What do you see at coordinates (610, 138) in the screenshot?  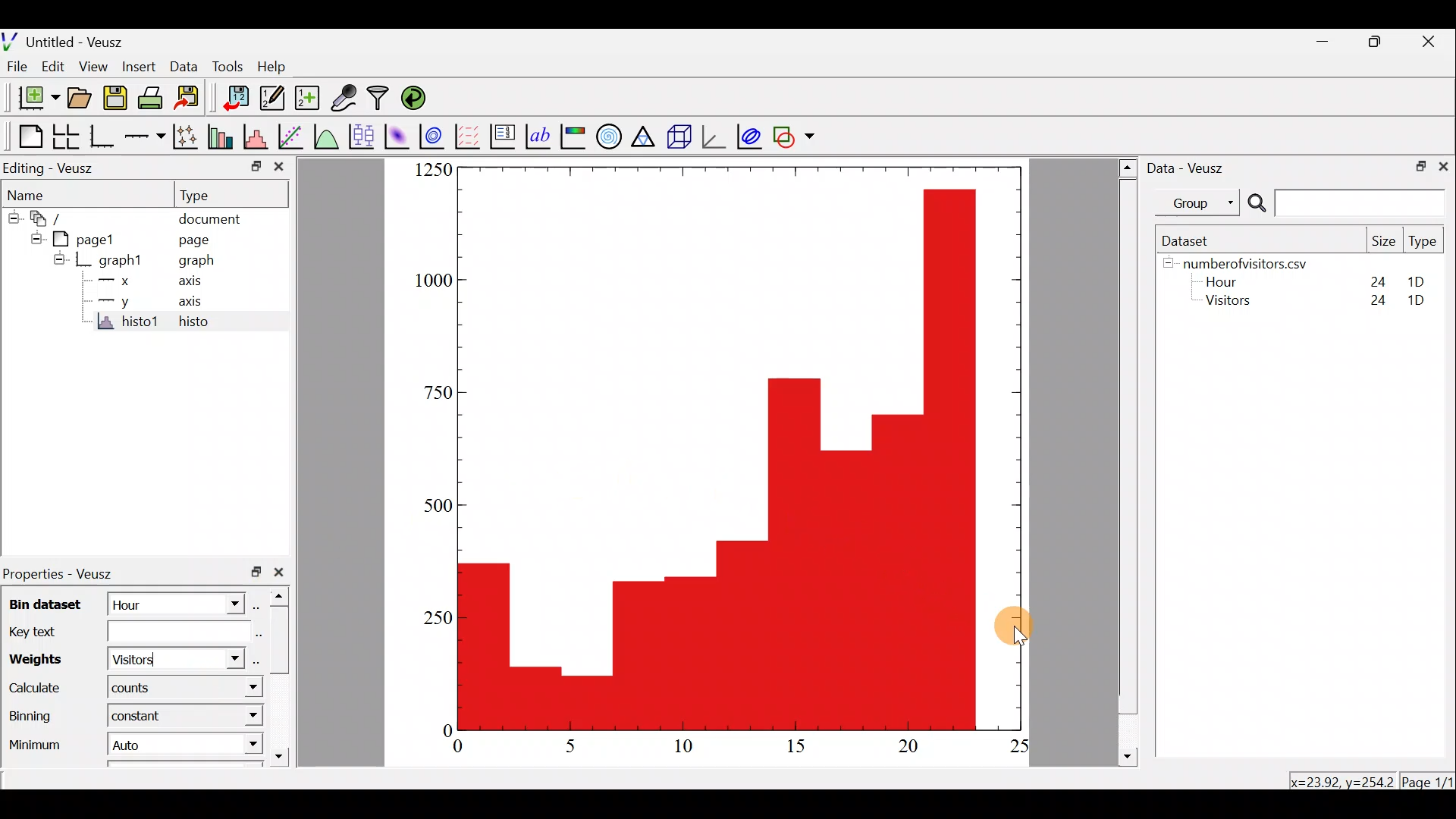 I see `polar graph` at bounding box center [610, 138].